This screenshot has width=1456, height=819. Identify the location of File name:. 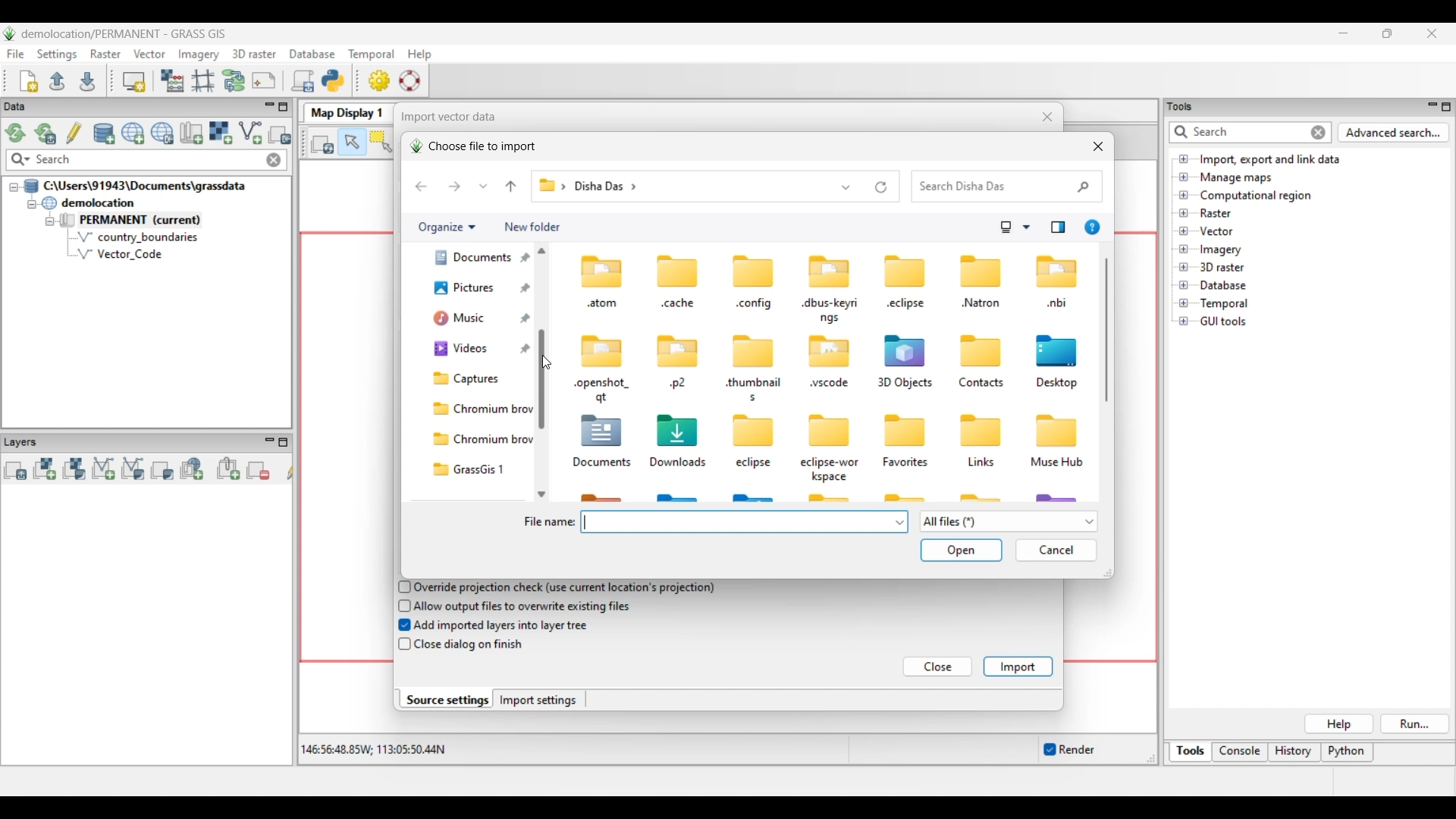
(548, 522).